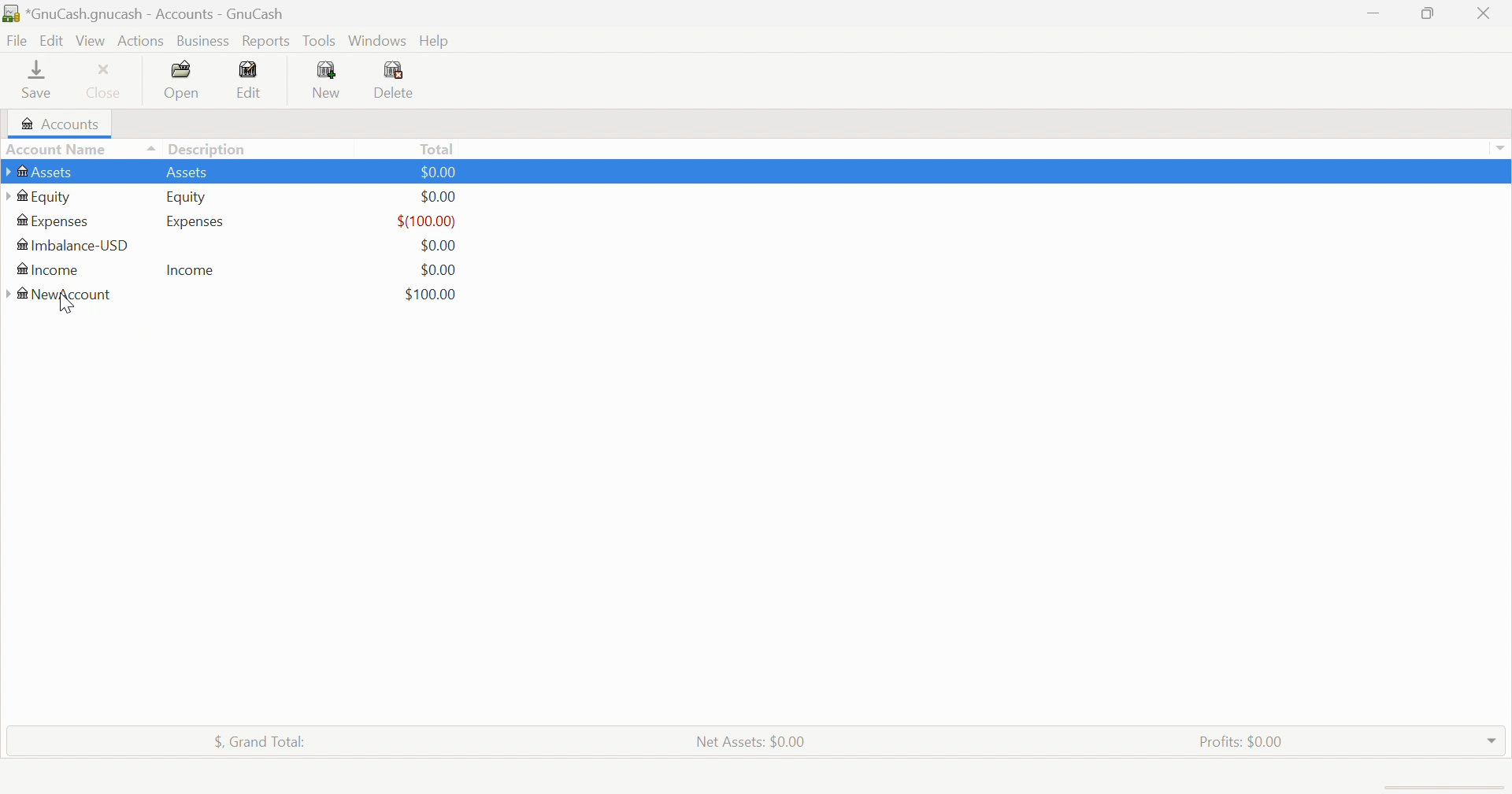 The image size is (1512, 794). I want to click on $, Grand Total, so click(263, 742).